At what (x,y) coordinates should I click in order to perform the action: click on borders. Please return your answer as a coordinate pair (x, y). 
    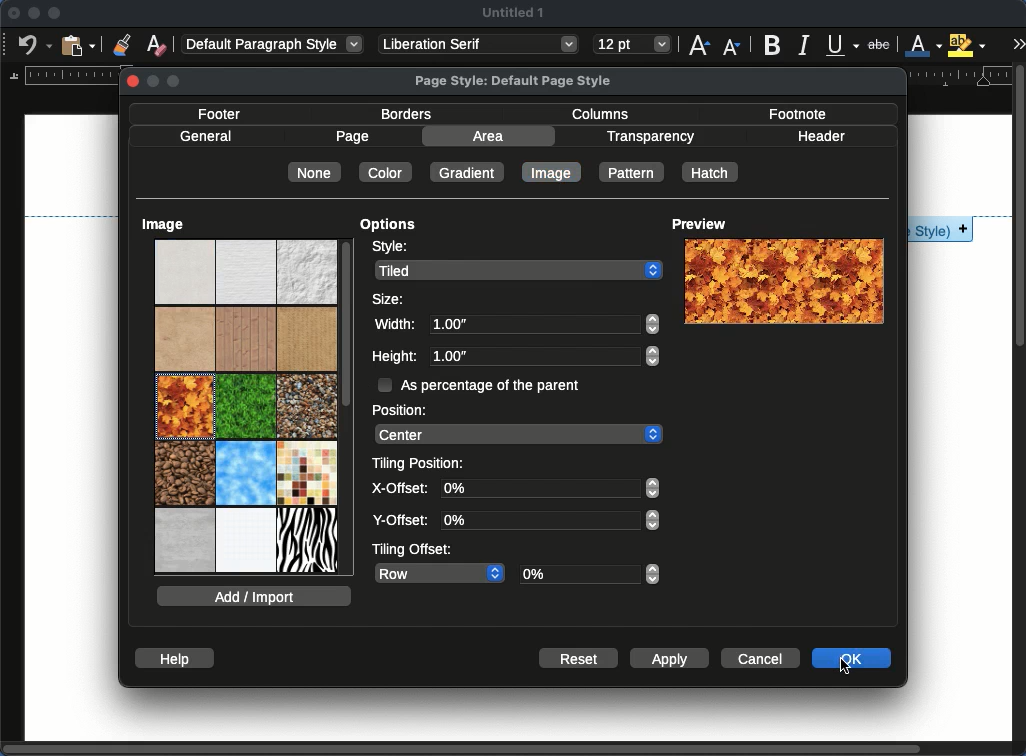
    Looking at the image, I should click on (407, 115).